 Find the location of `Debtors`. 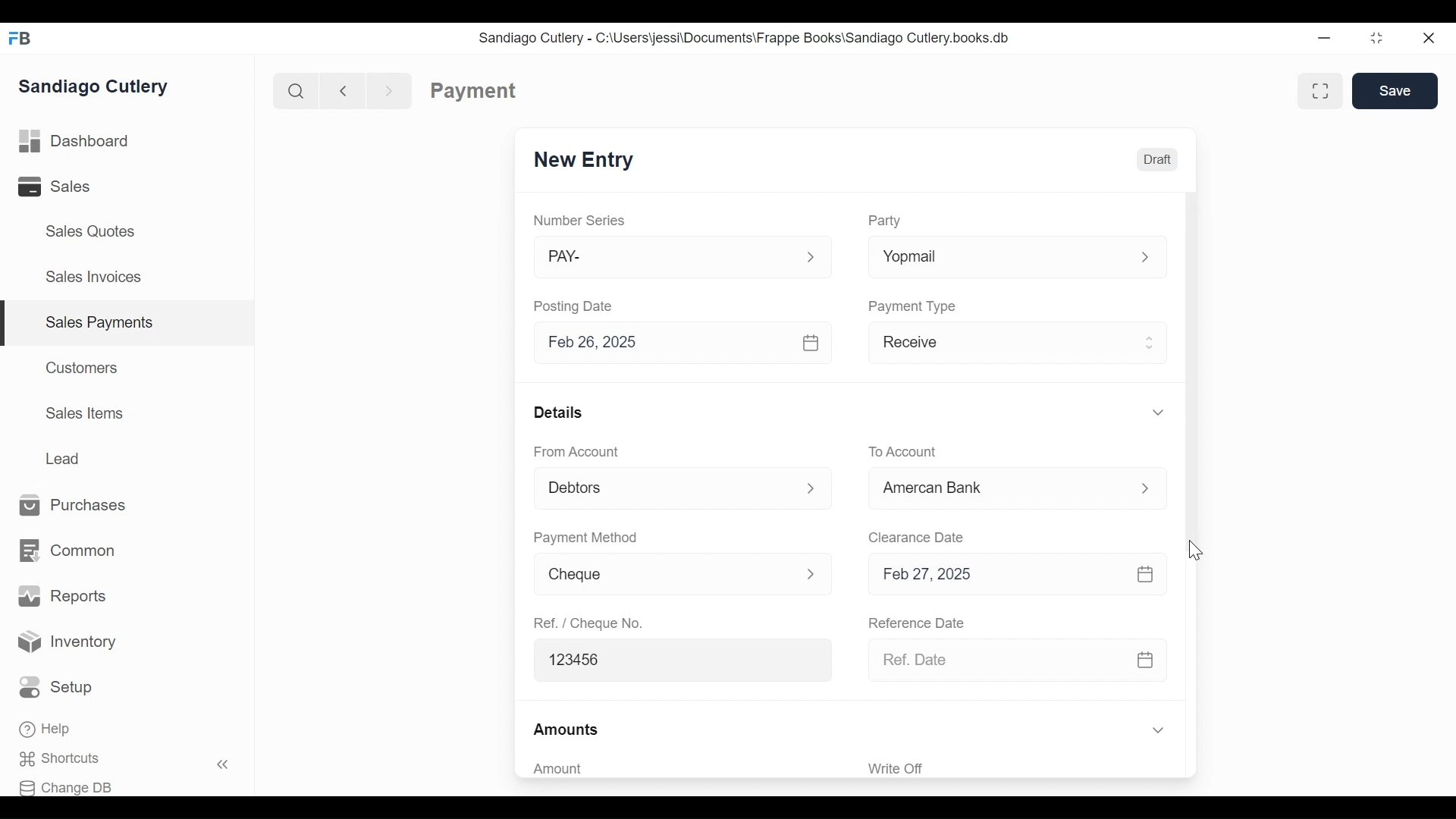

Debtors is located at coordinates (663, 490).